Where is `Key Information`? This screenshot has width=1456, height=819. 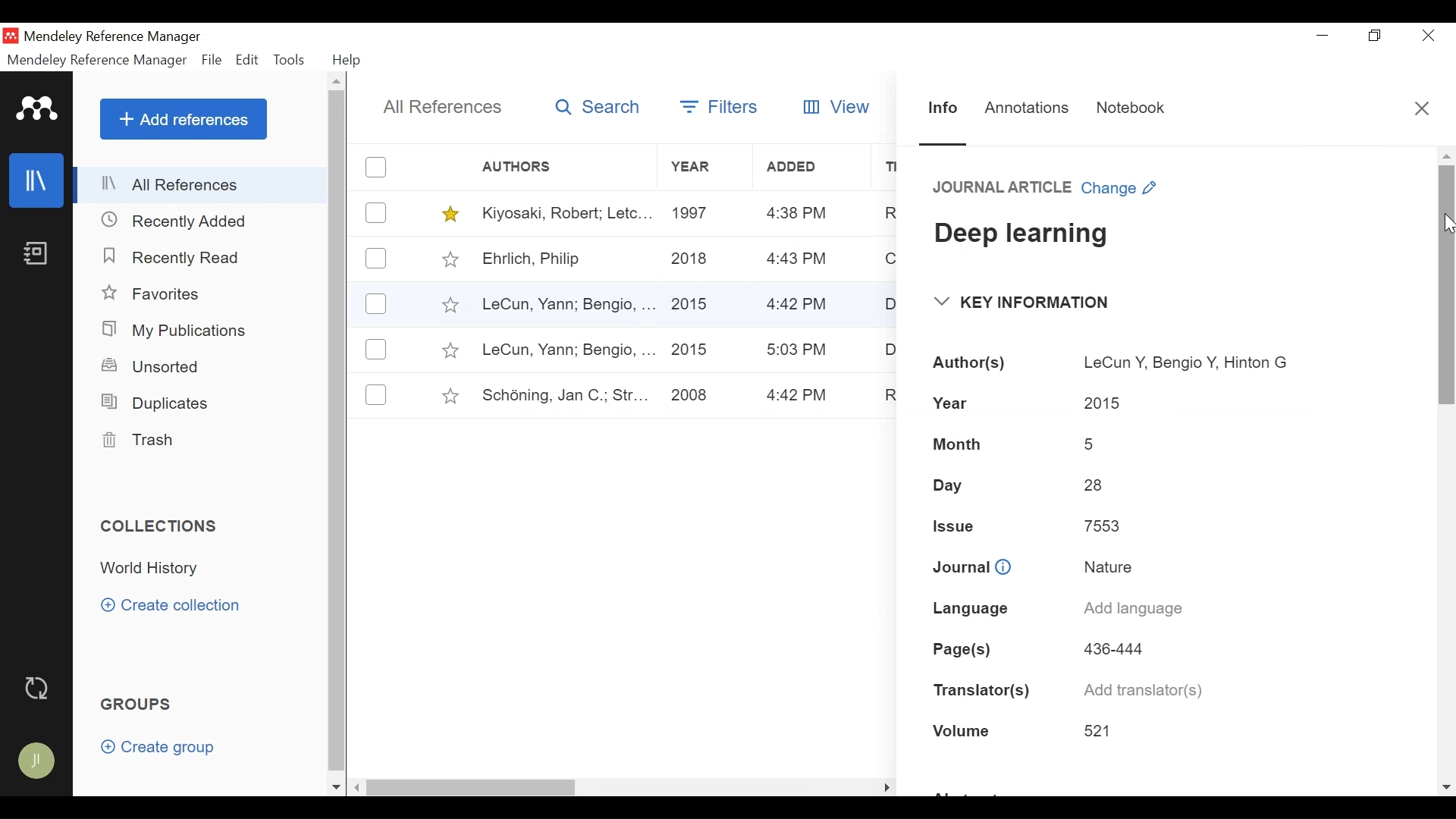 Key Information is located at coordinates (1025, 302).